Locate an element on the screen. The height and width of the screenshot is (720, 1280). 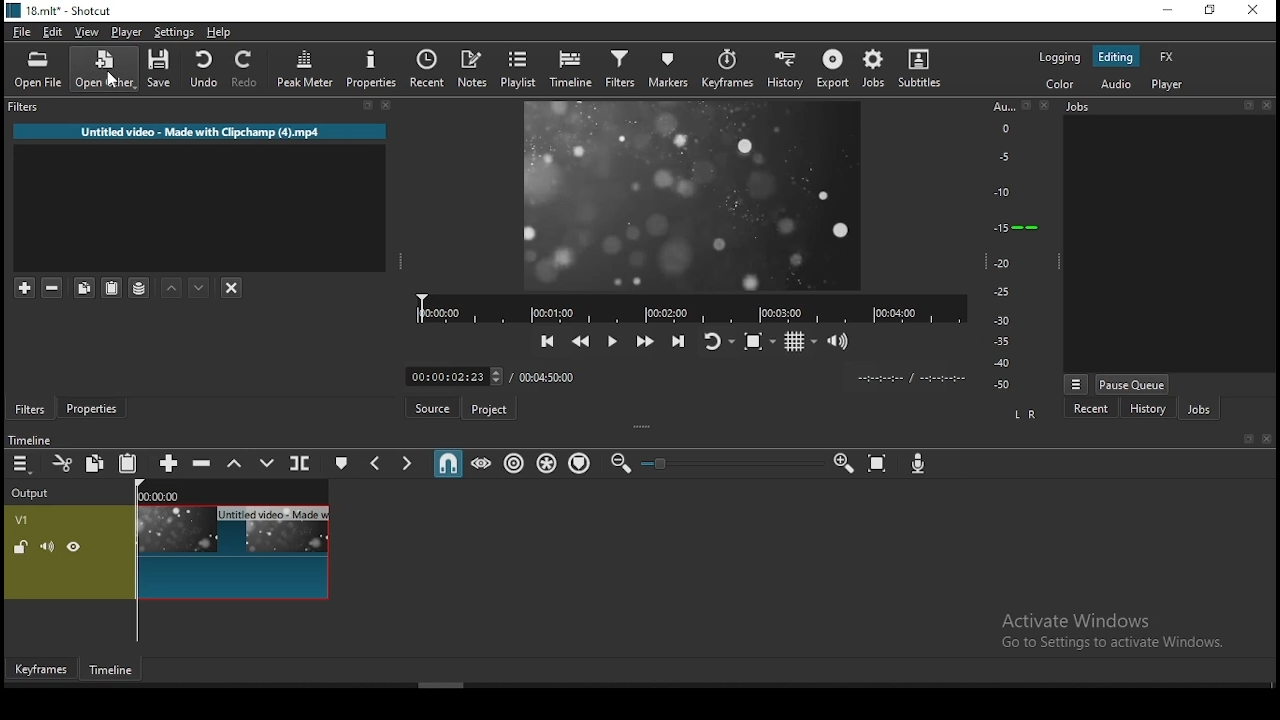
peak meter is located at coordinates (307, 70).